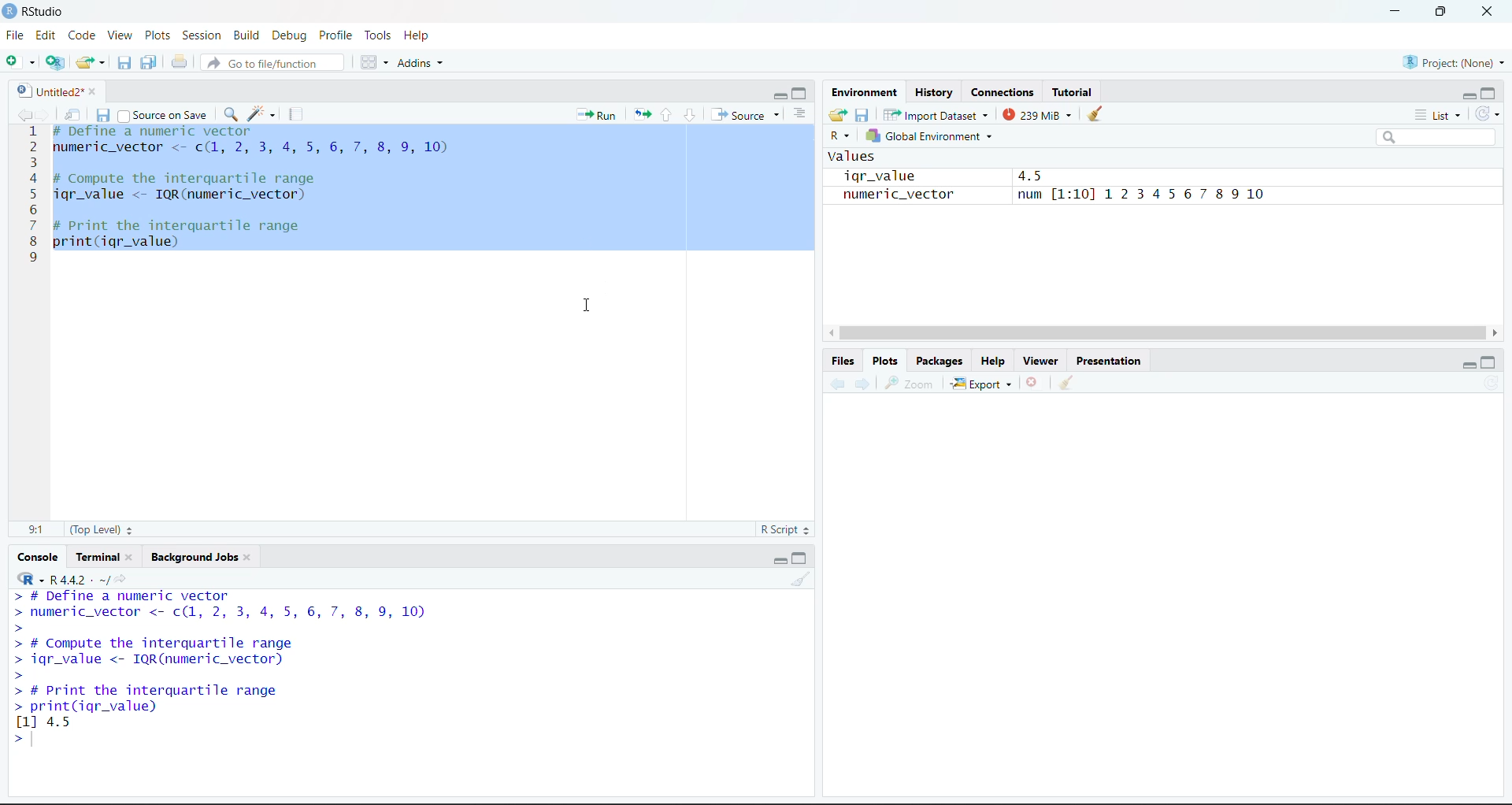 The image size is (1512, 805). I want to click on Find/Replace, so click(231, 113).